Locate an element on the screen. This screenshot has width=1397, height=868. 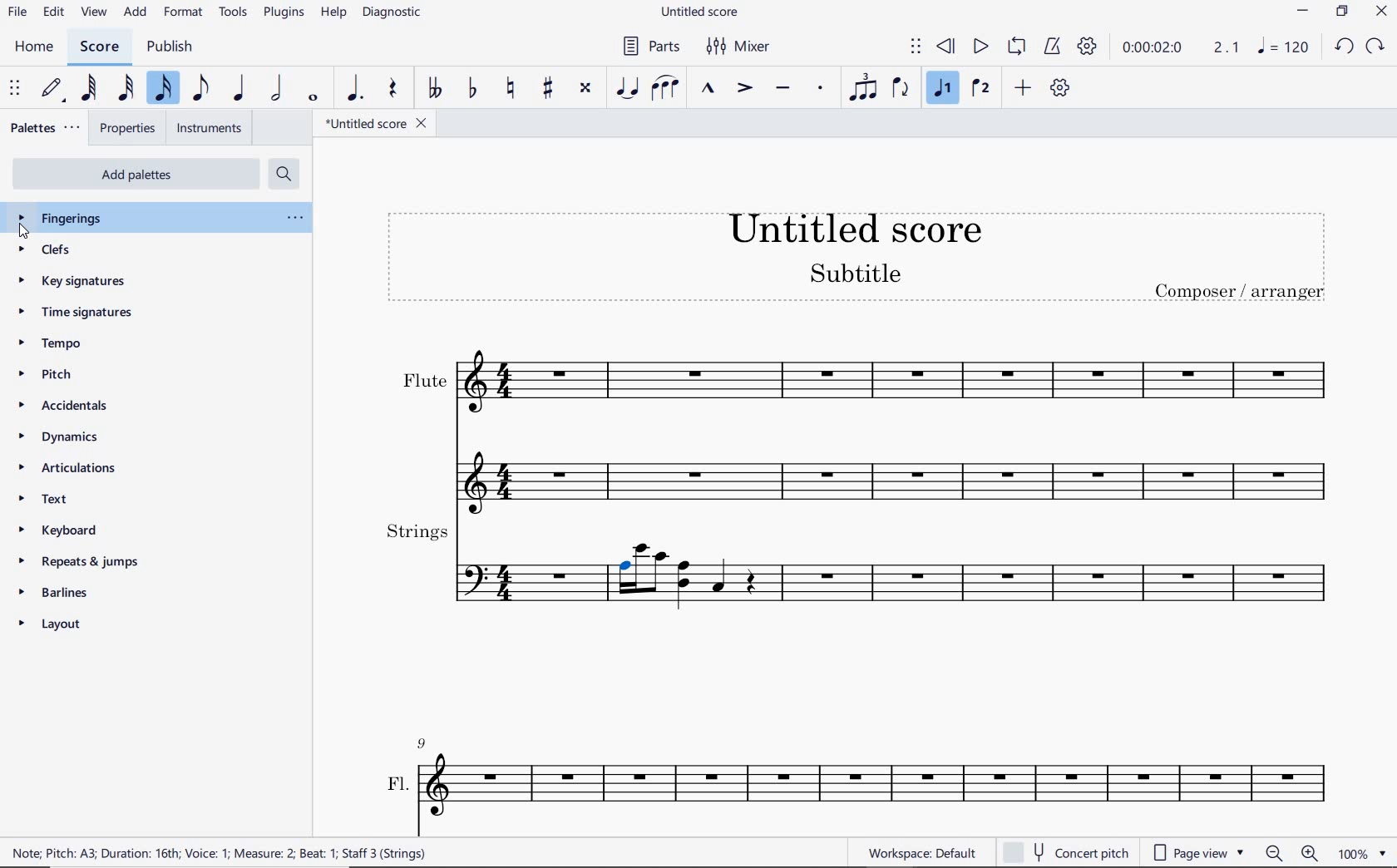
toggle double-flat is located at coordinates (433, 87).